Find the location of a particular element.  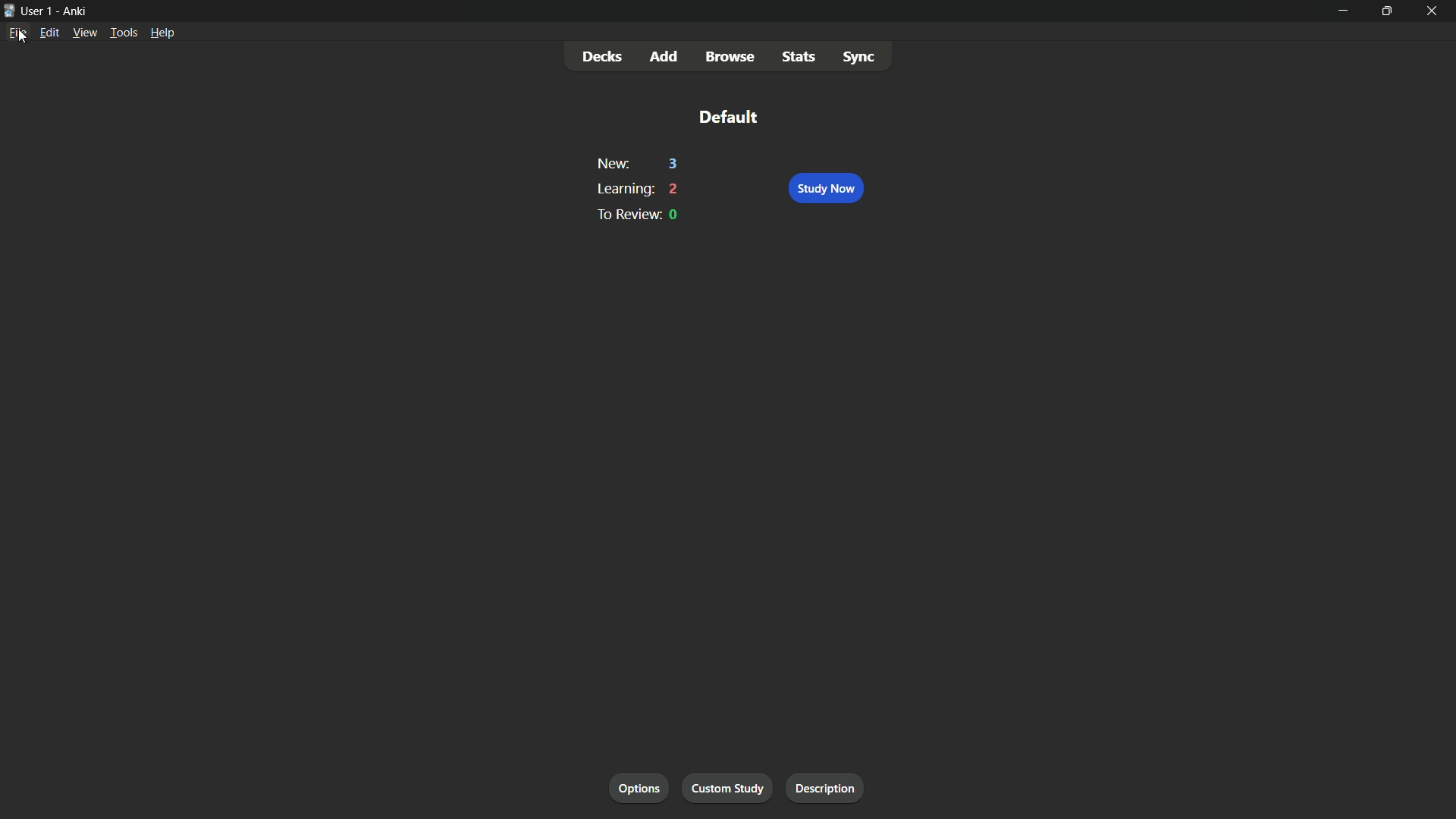

close app is located at coordinates (1435, 11).